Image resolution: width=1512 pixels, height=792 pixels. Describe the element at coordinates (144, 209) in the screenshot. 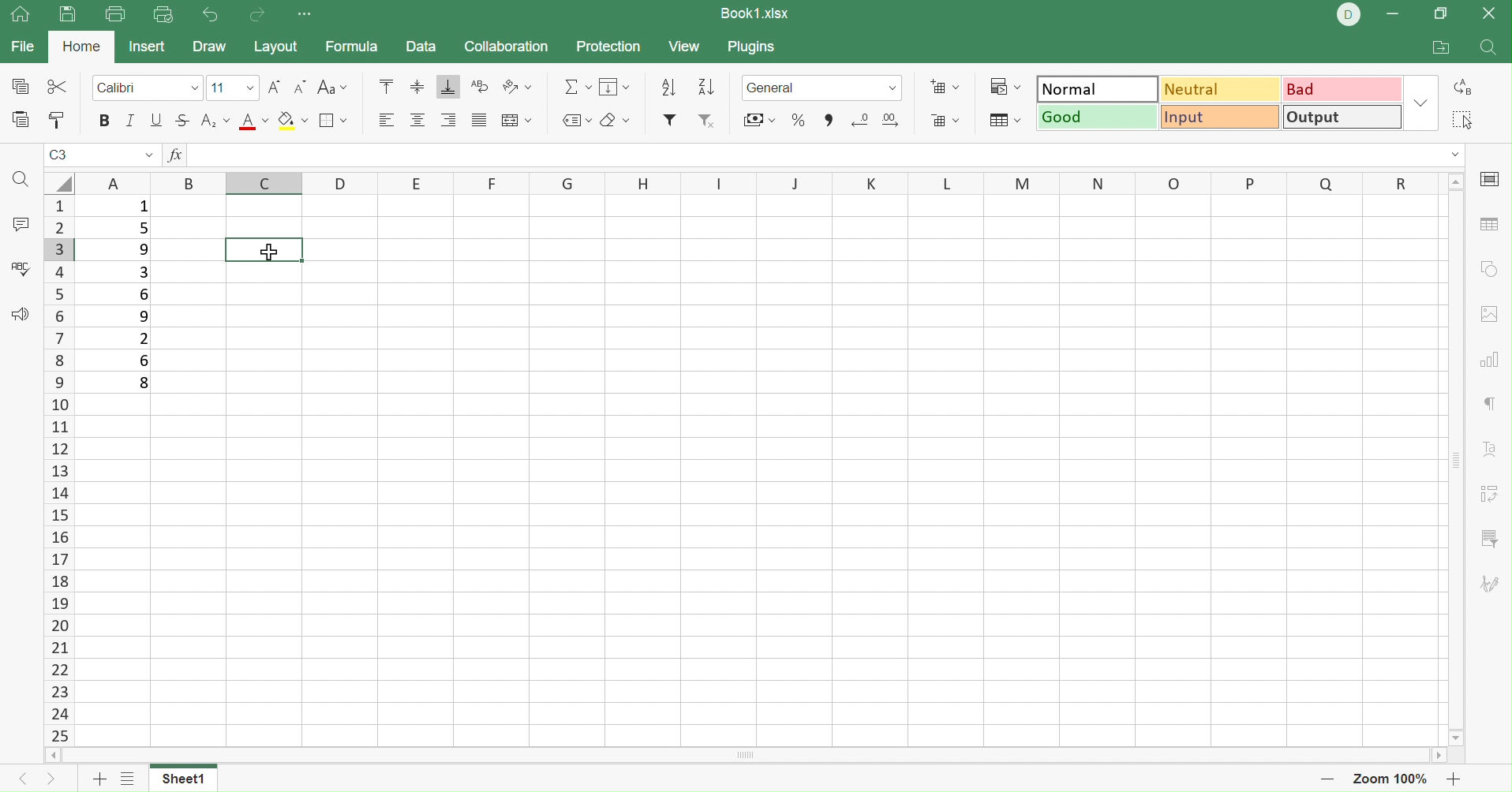

I see `1` at that location.